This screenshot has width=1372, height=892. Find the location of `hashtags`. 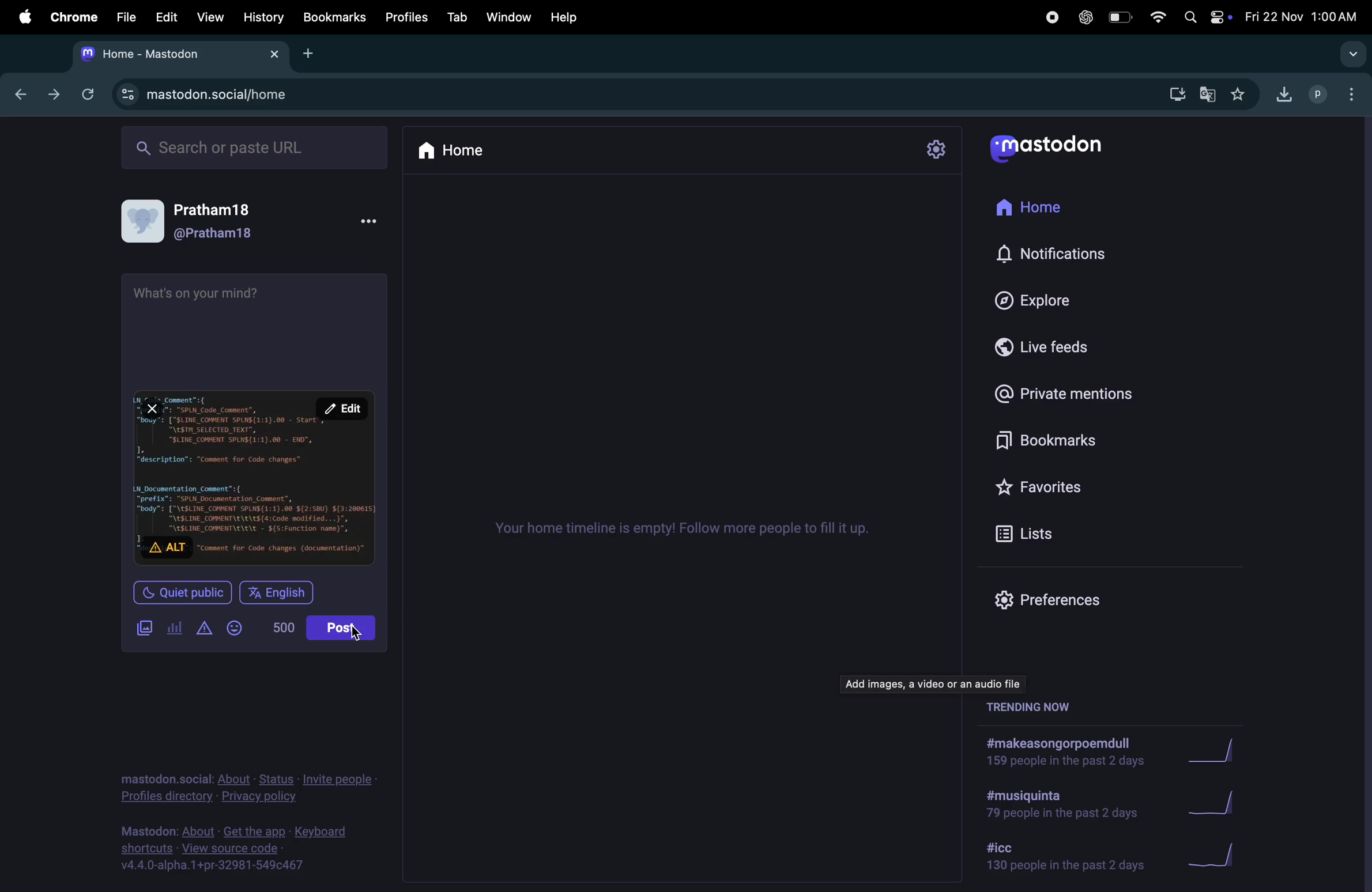

hashtags is located at coordinates (1060, 806).